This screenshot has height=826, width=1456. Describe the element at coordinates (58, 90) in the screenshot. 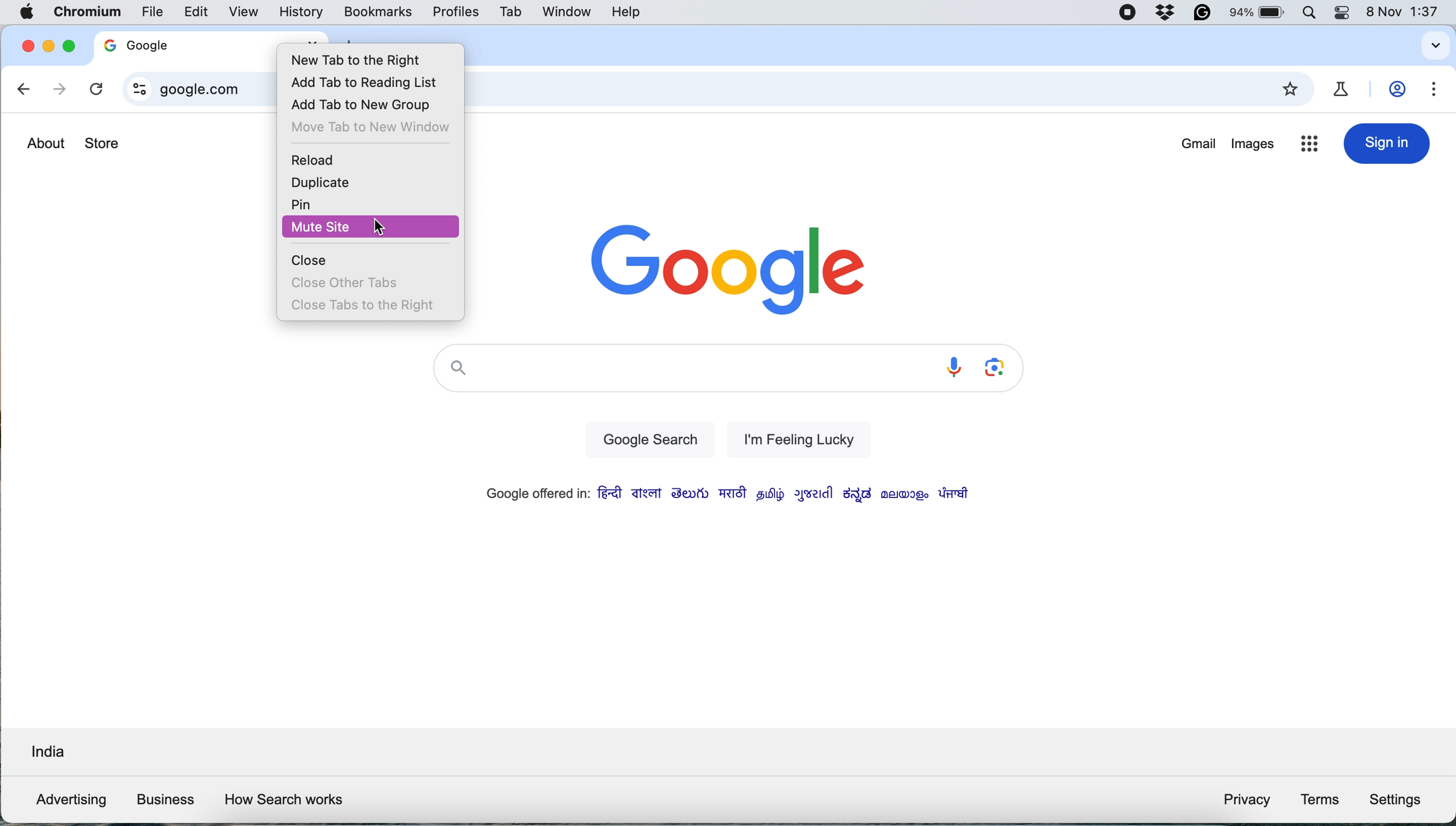

I see `go forward` at that location.